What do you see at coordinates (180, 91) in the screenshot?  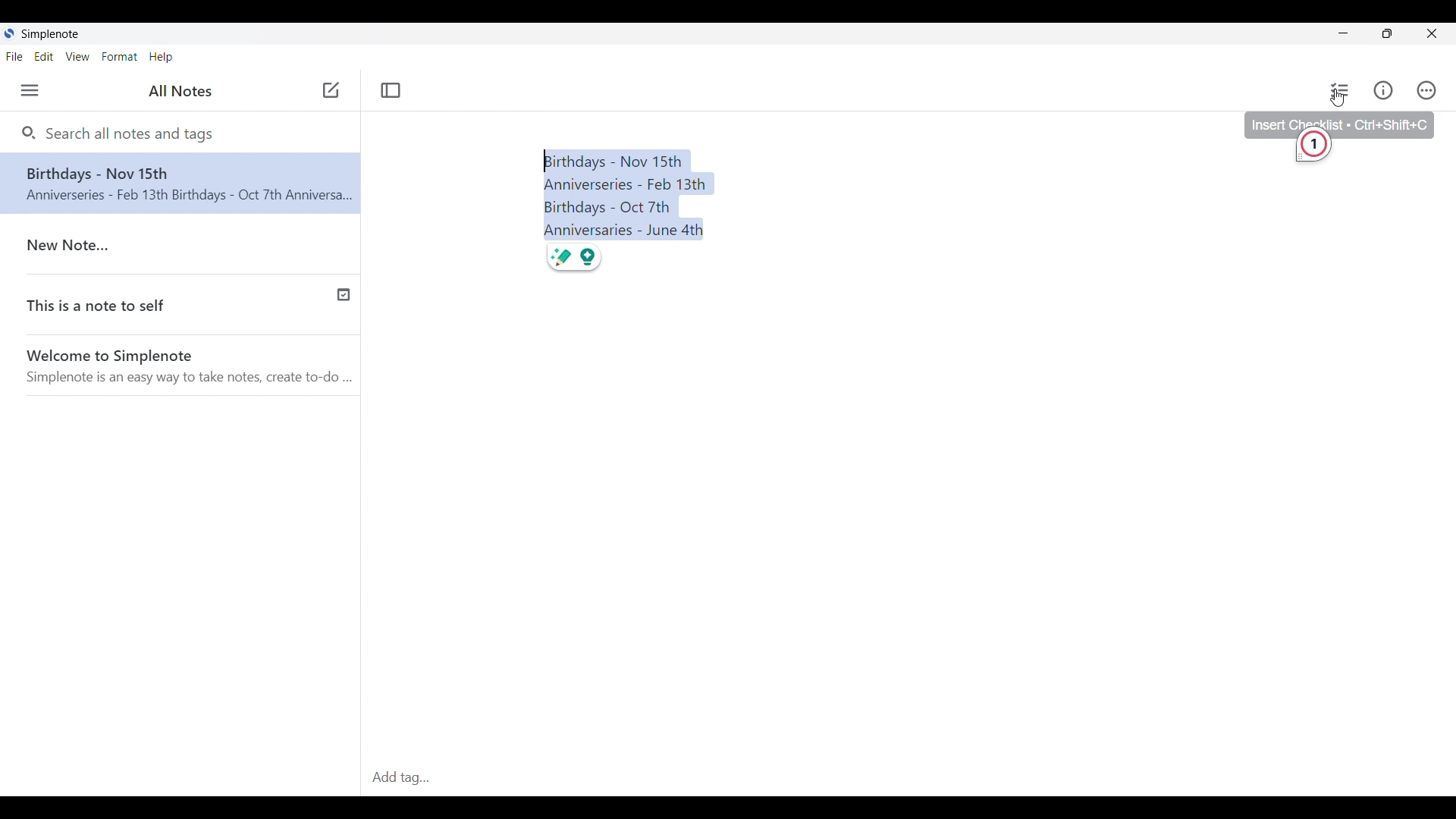 I see `All Notes(Title of left side panel)` at bounding box center [180, 91].